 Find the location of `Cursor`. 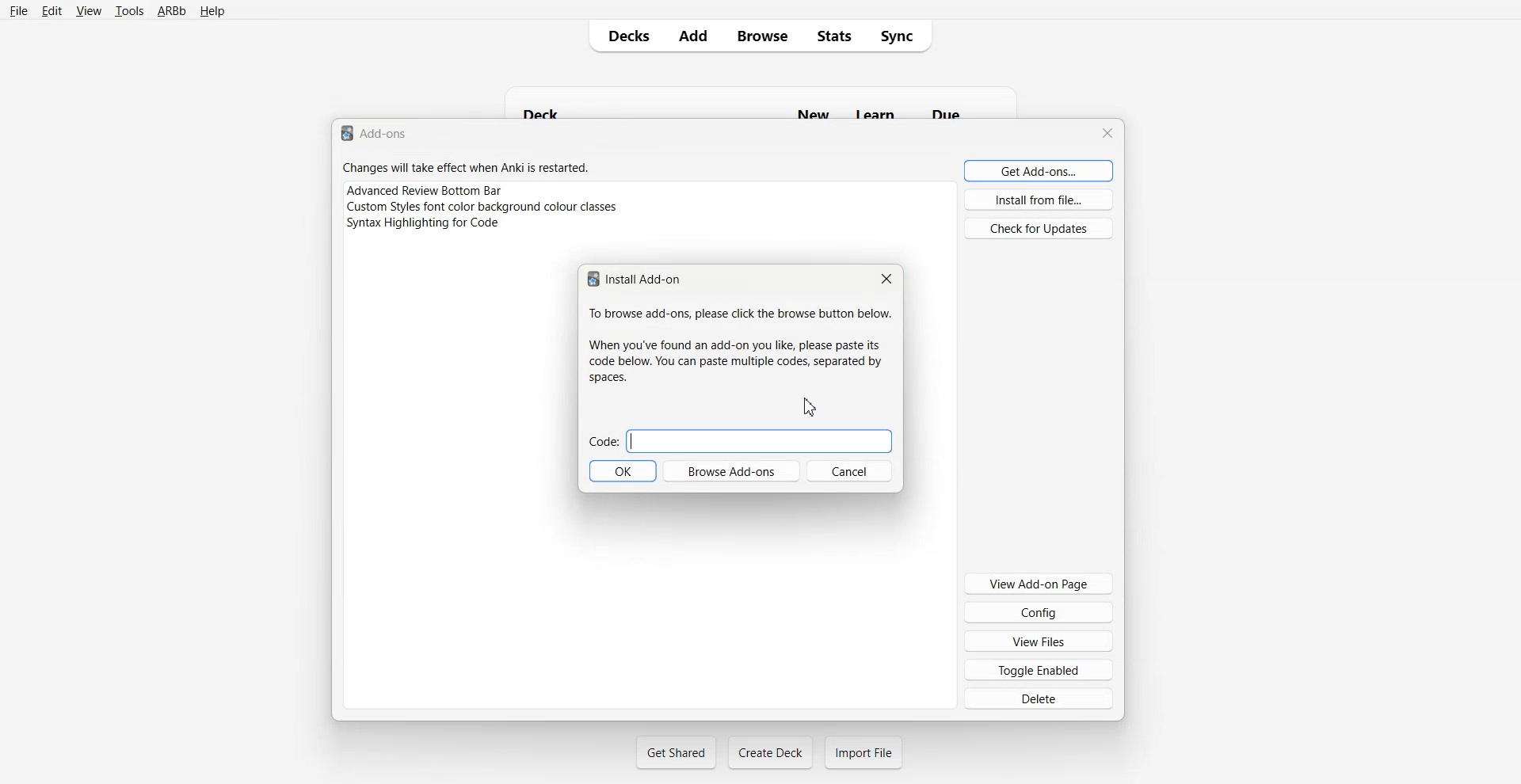

Cursor is located at coordinates (810, 405).